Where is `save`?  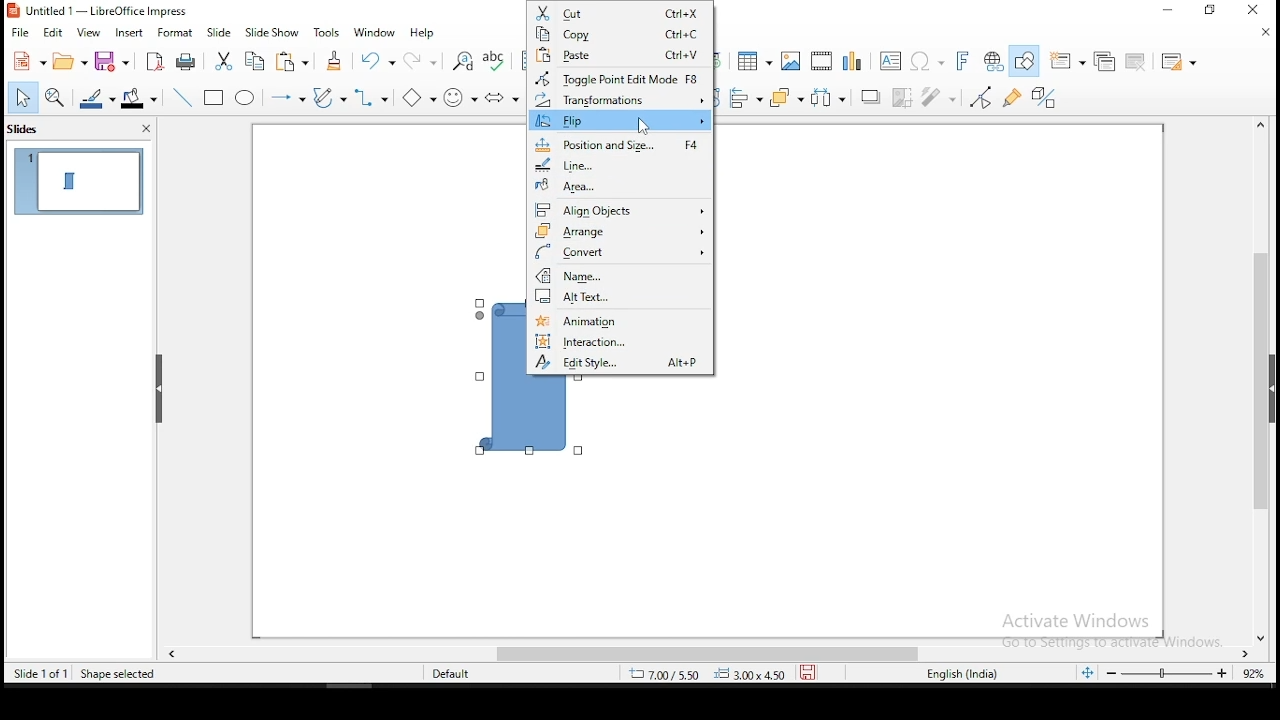
save is located at coordinates (808, 673).